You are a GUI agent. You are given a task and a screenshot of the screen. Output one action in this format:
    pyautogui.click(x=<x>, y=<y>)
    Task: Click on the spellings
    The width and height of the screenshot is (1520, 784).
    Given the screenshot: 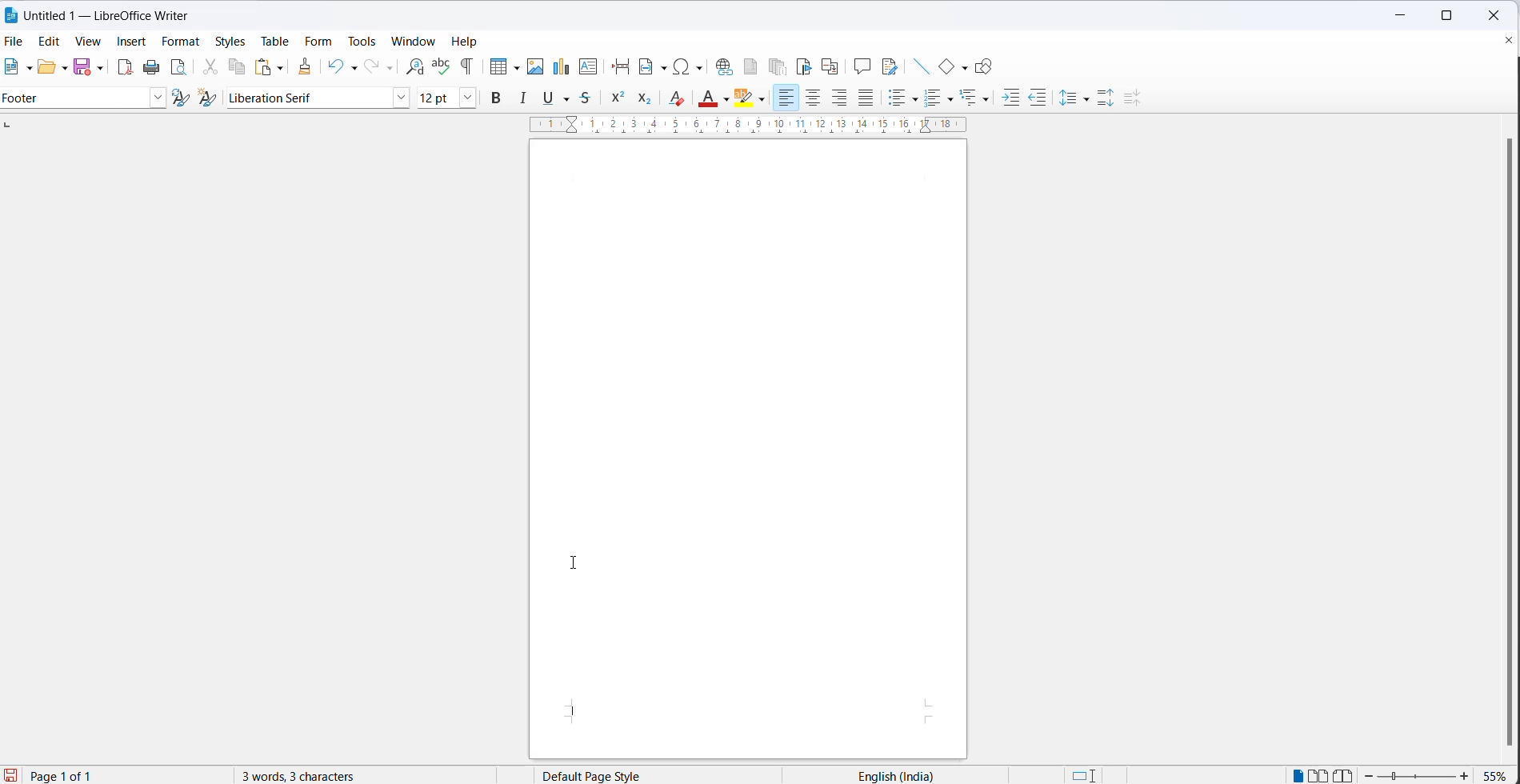 What is the action you would take?
    pyautogui.click(x=443, y=68)
    